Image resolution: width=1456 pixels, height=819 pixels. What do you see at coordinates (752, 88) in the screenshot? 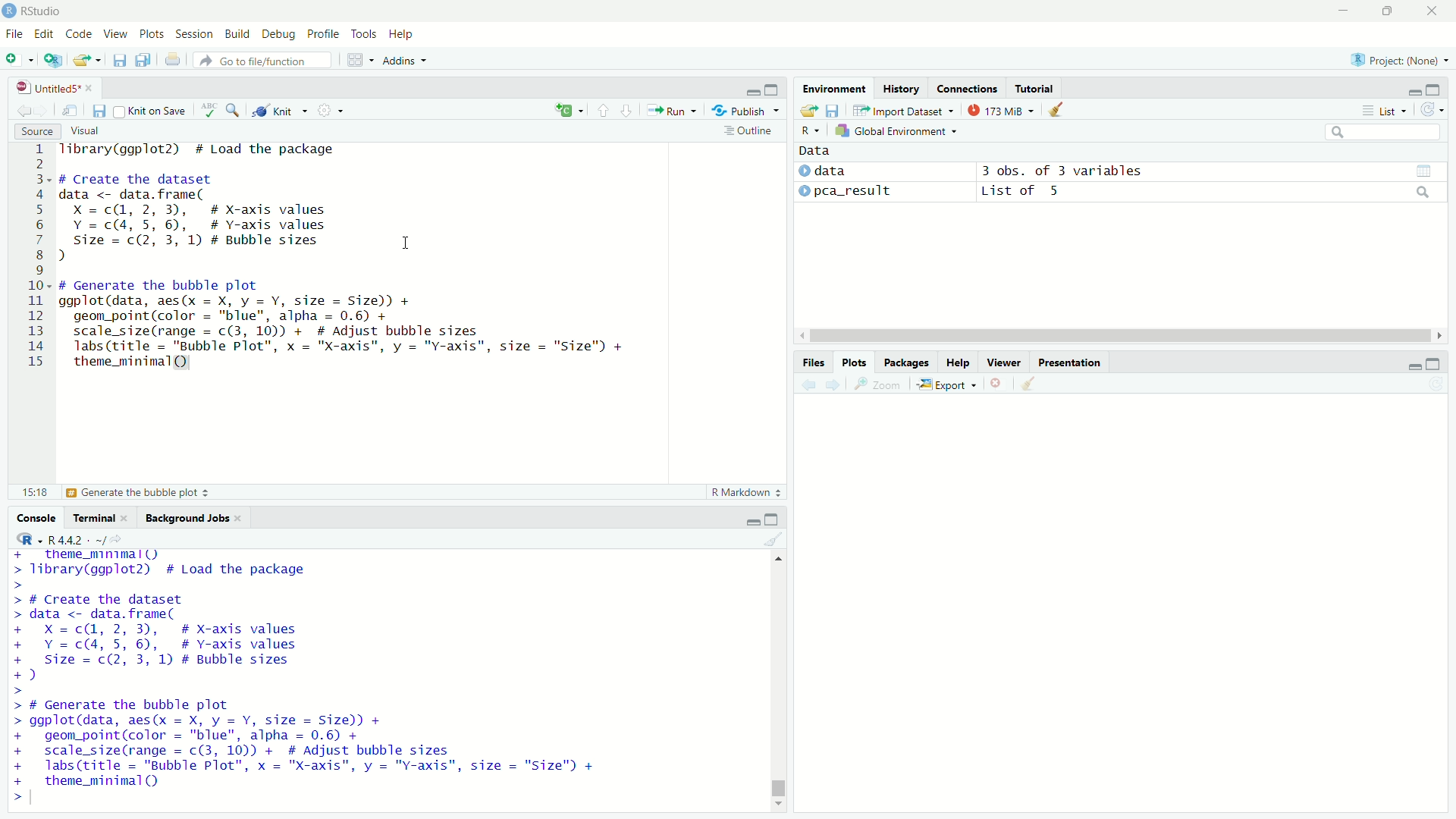
I see `minimize` at bounding box center [752, 88].